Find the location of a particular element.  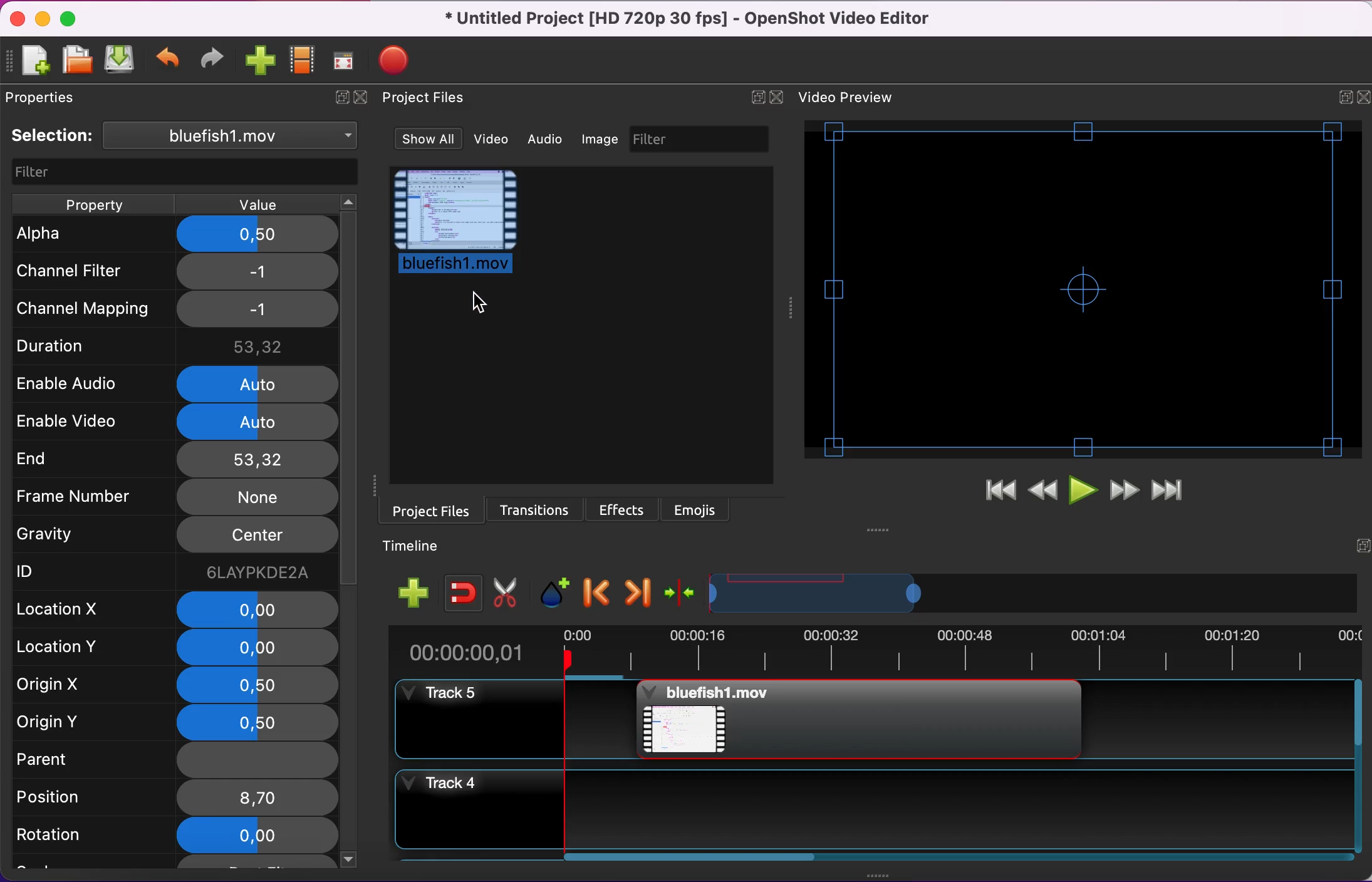

close is located at coordinates (362, 97).